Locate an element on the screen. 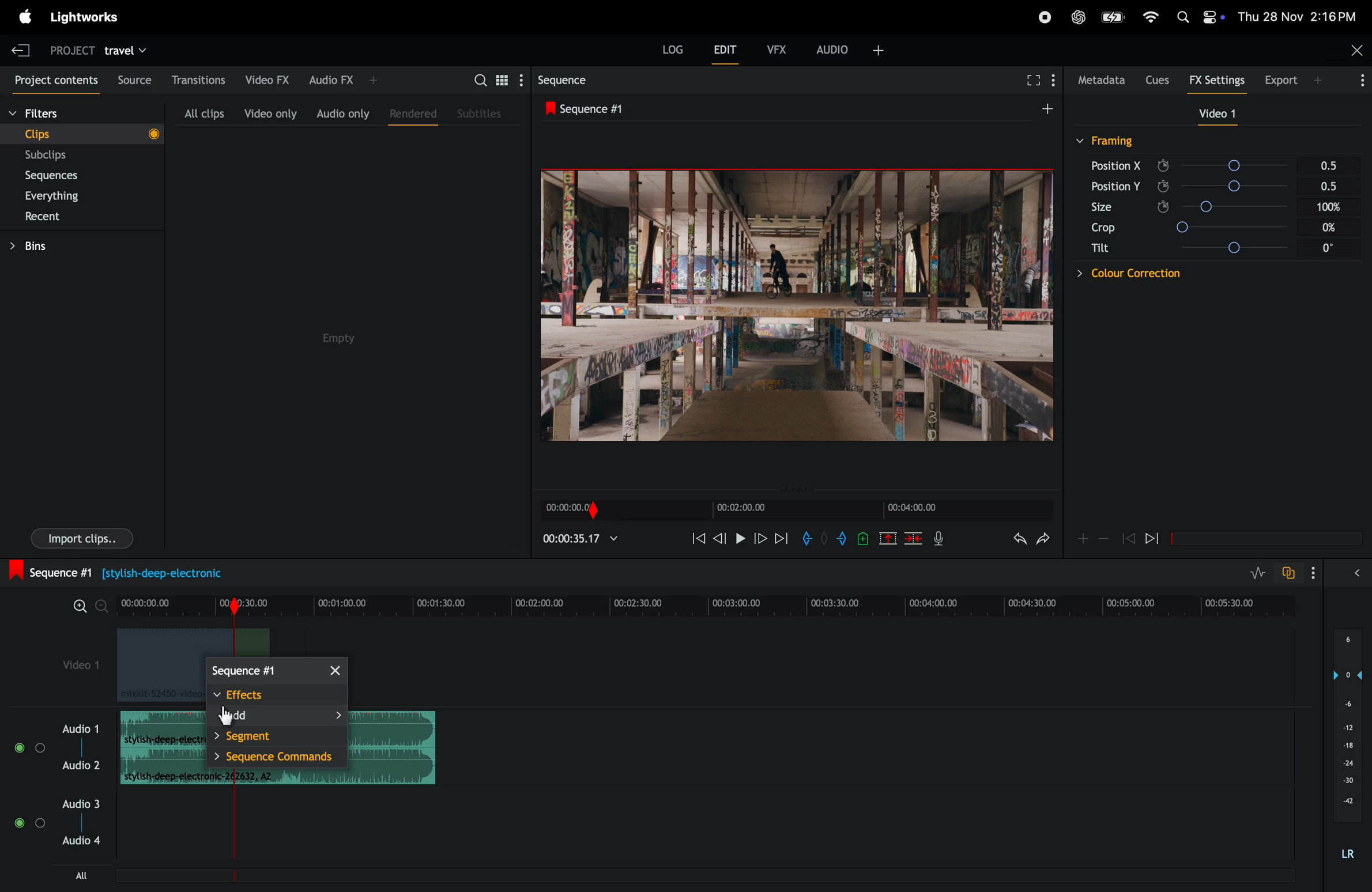 The height and width of the screenshot is (892, 1372). pitch level is located at coordinates (1345, 751).